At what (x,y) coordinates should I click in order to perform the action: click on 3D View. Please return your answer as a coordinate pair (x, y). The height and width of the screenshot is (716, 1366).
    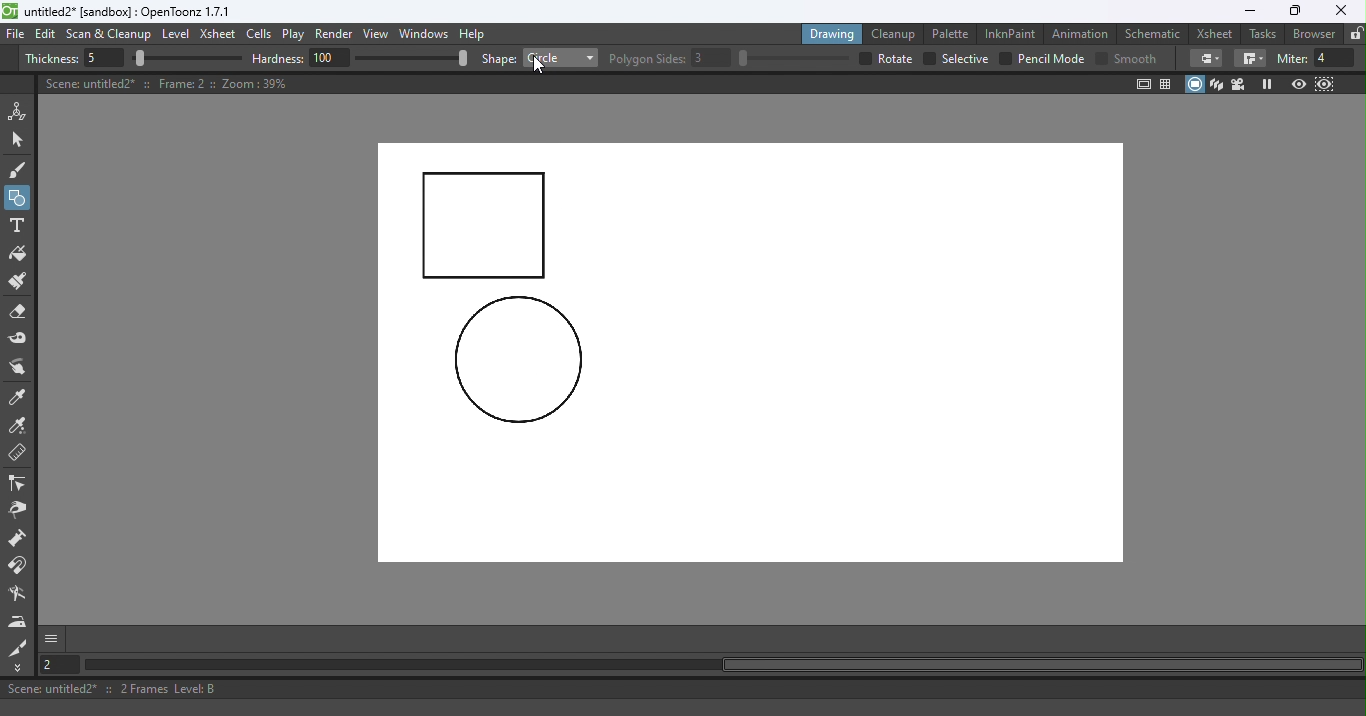
    Looking at the image, I should click on (1218, 84).